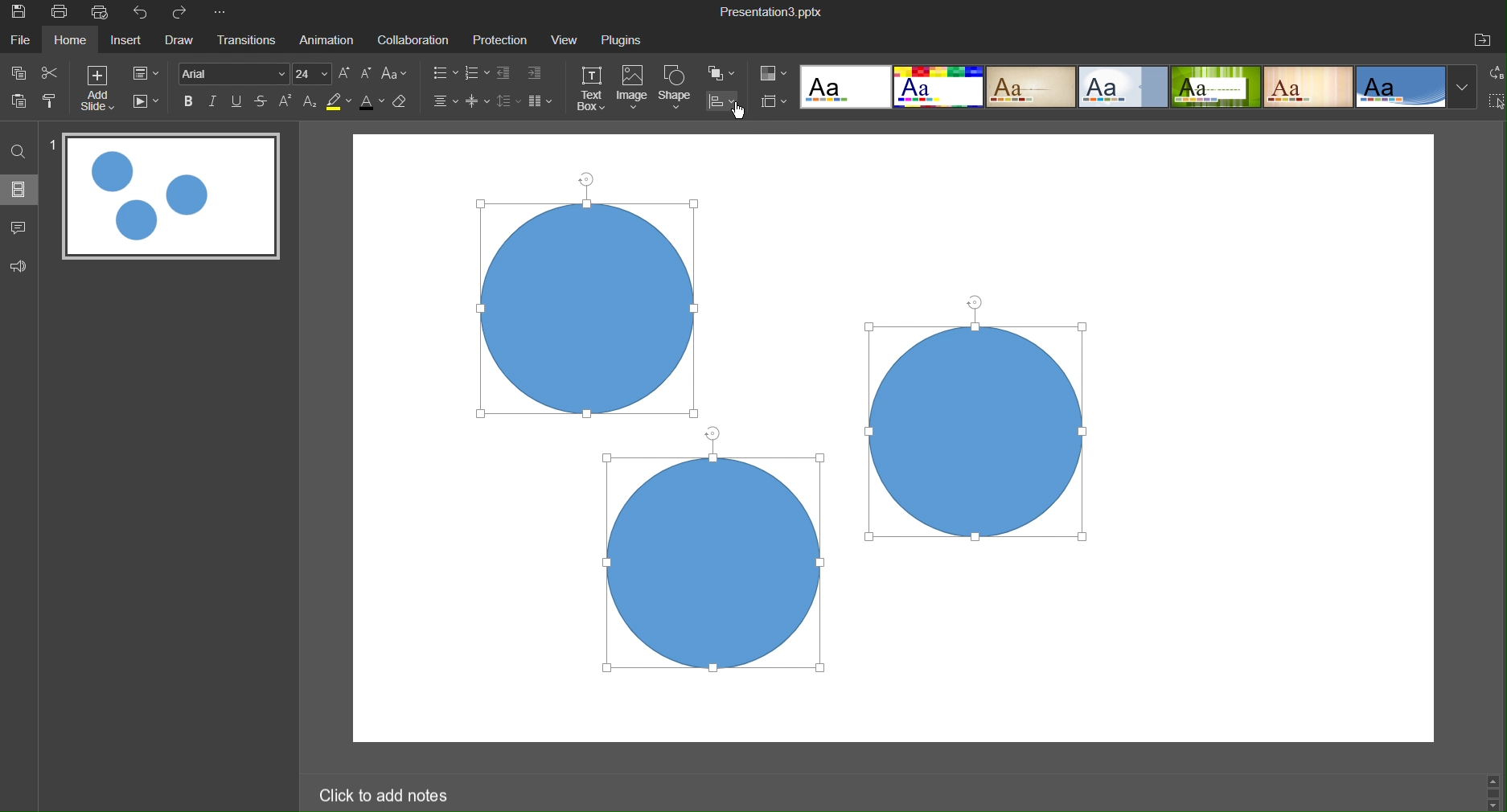 The width and height of the screenshot is (1507, 812). I want to click on Insert, so click(132, 43).